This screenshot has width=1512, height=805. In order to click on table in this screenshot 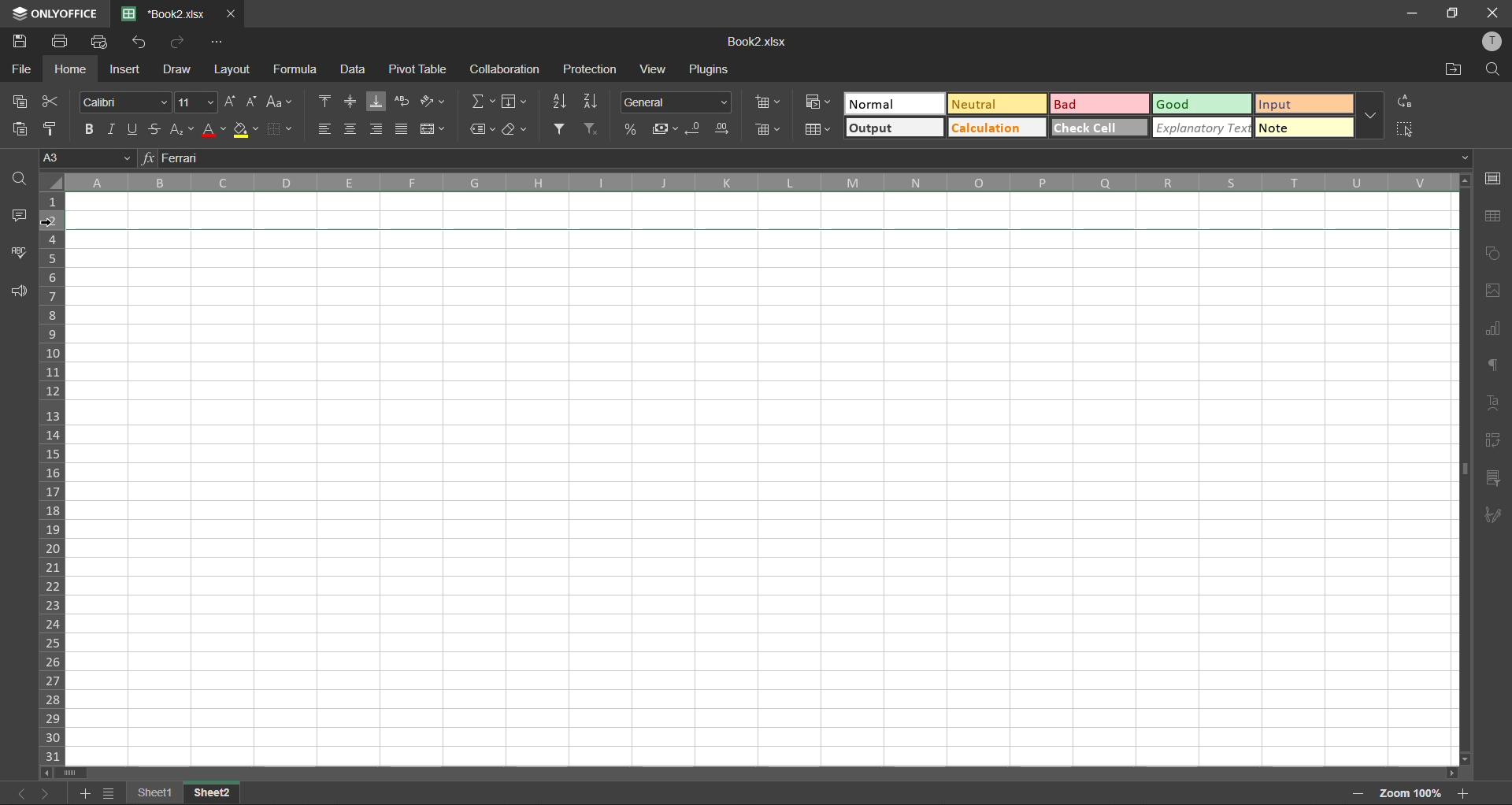, I will do `click(1495, 217)`.